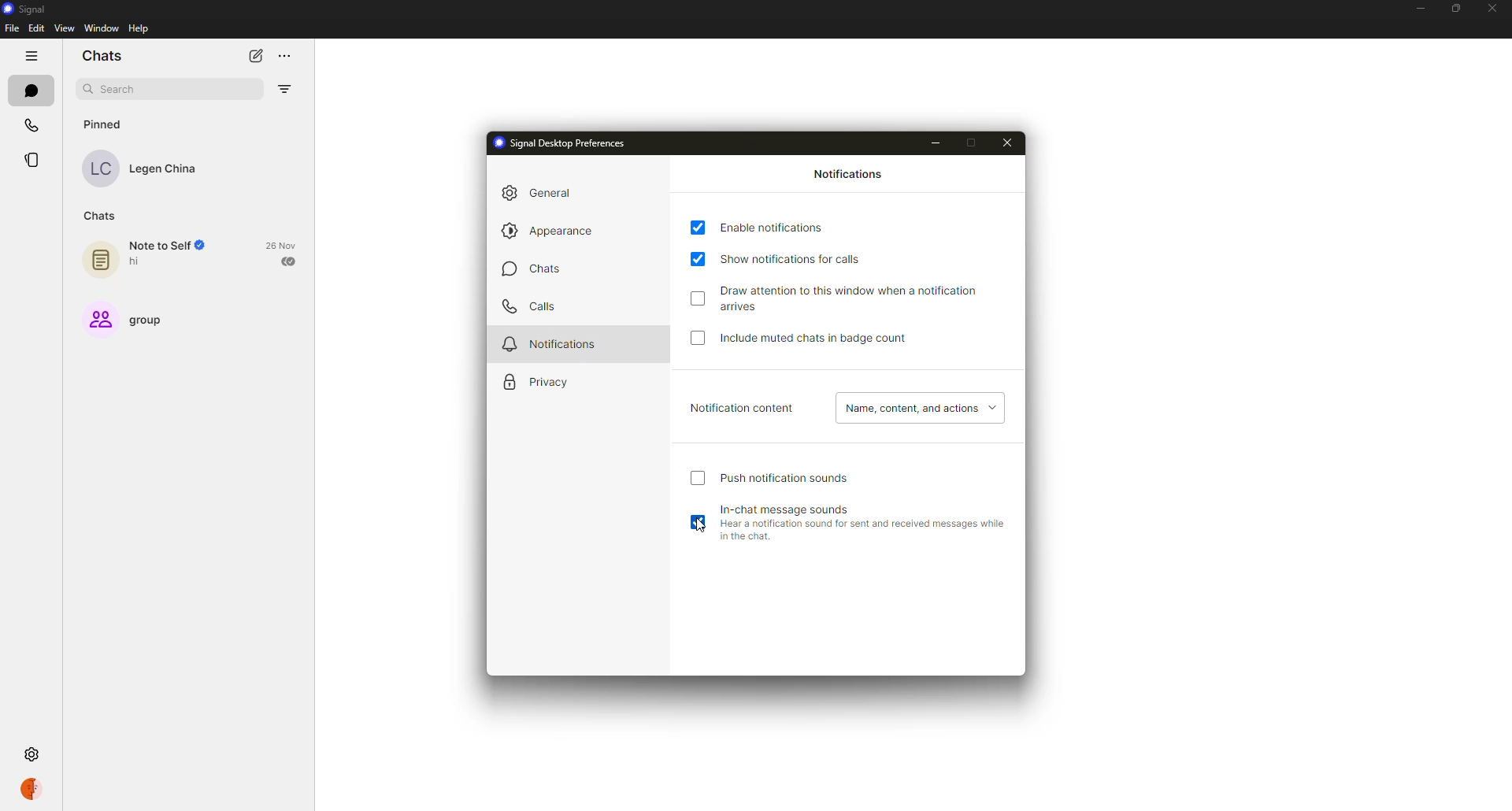 This screenshot has height=811, width=1512. Describe the element at coordinates (102, 124) in the screenshot. I see `pinned` at that location.